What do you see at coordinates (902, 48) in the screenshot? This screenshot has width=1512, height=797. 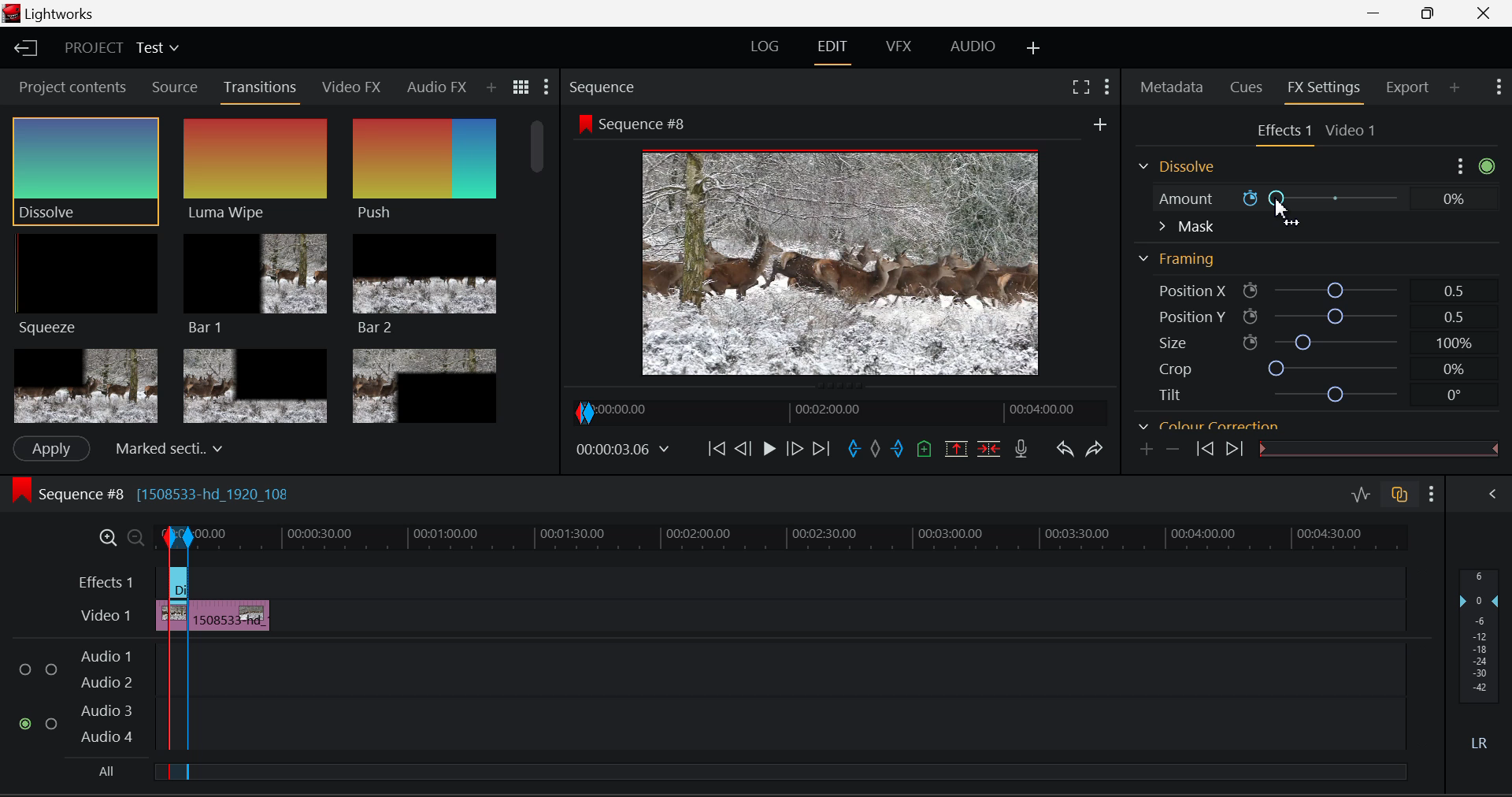 I see `VFX Layout` at bounding box center [902, 48].